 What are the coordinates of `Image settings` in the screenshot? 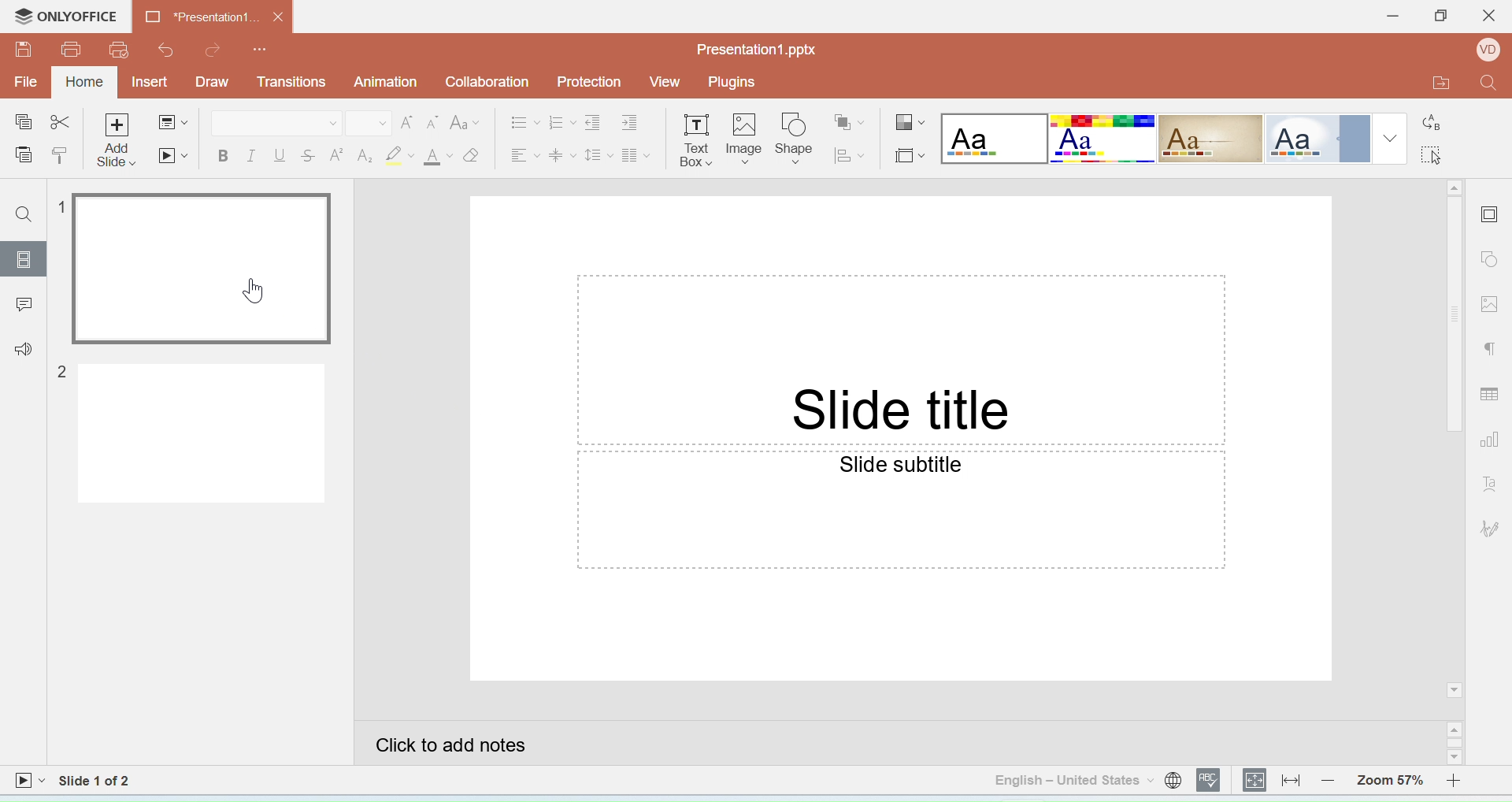 It's located at (1492, 303).